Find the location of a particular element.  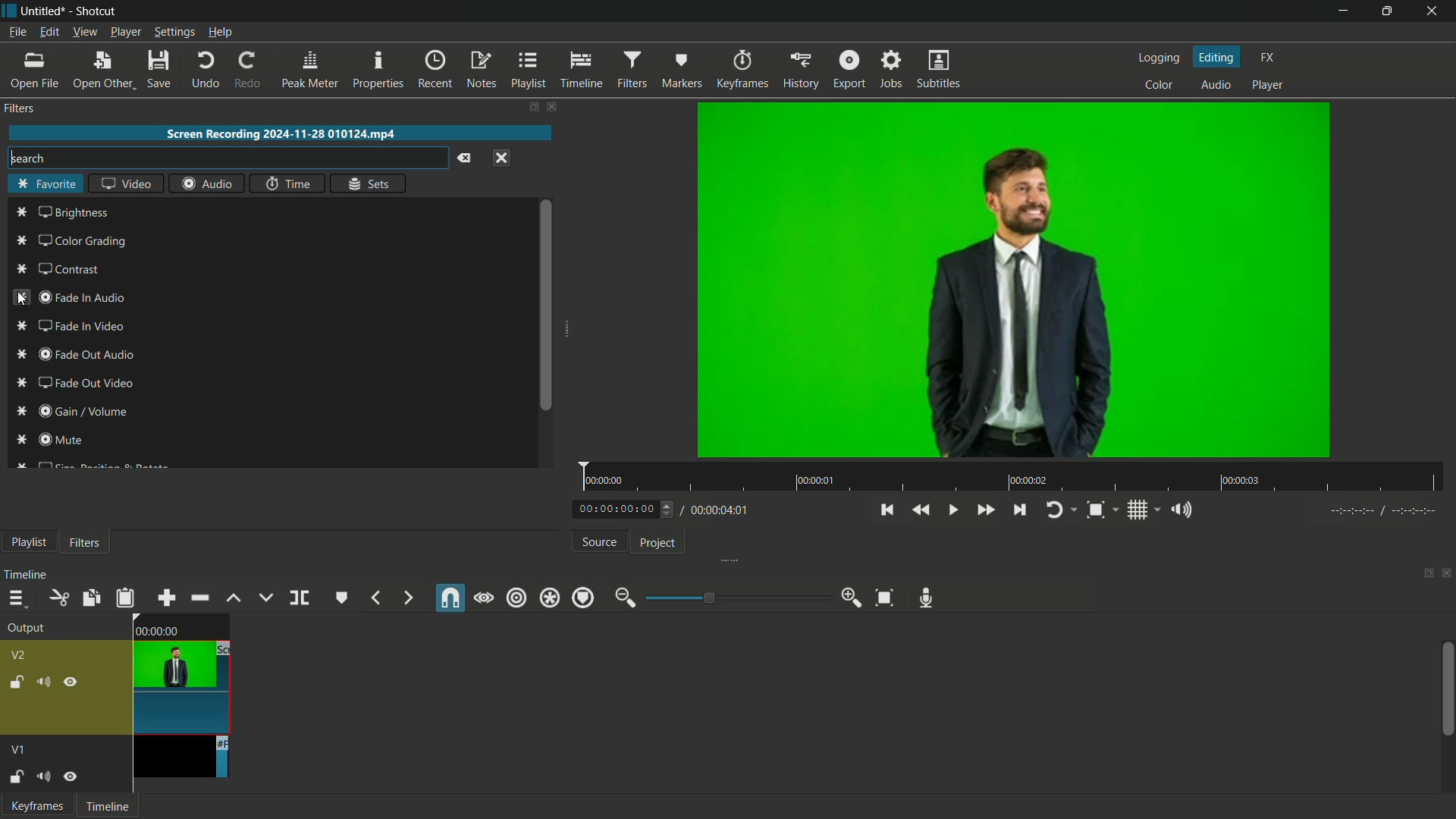

color is located at coordinates (1158, 86).